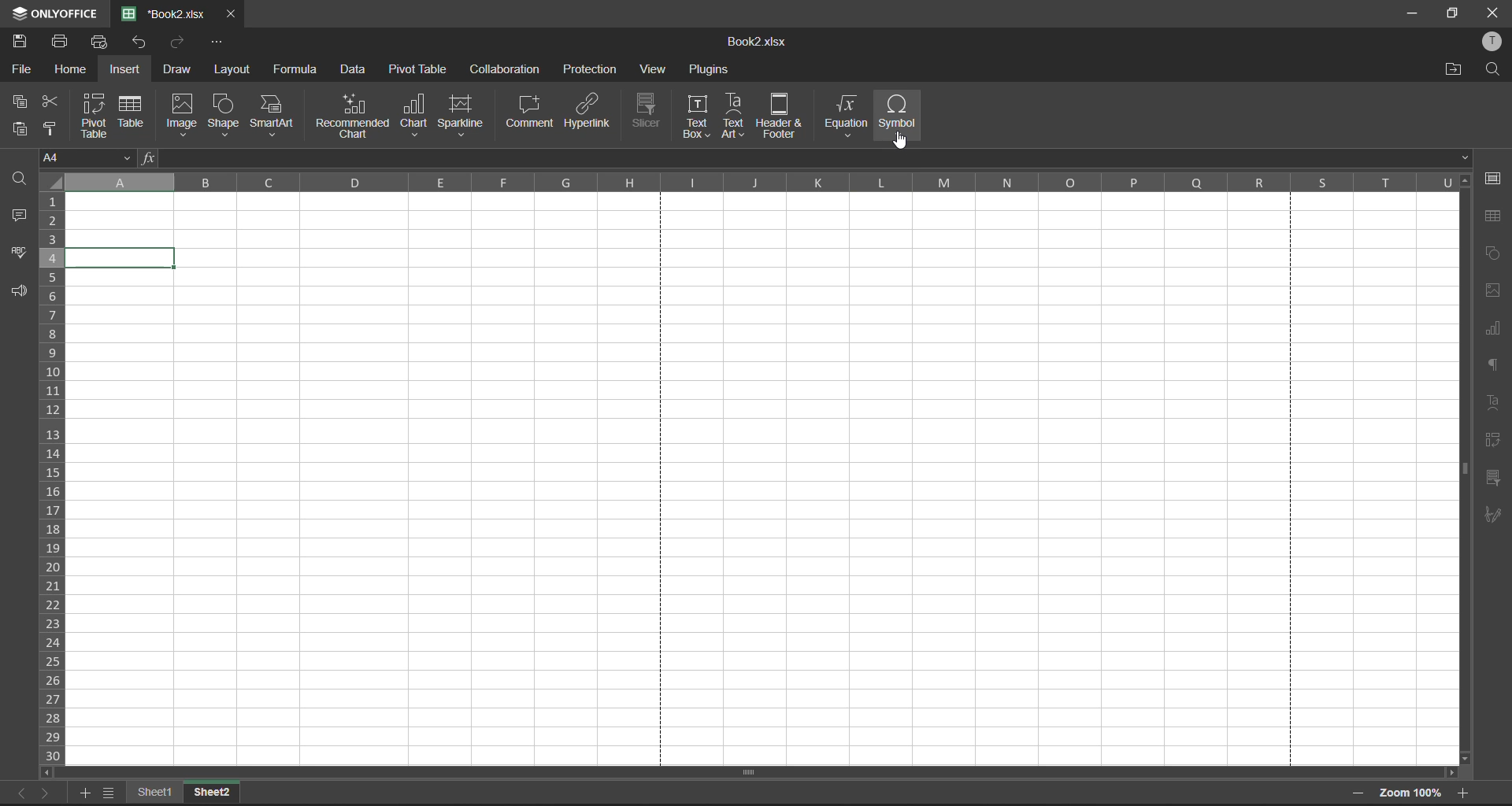  I want to click on scroll bar, so click(1462, 471).